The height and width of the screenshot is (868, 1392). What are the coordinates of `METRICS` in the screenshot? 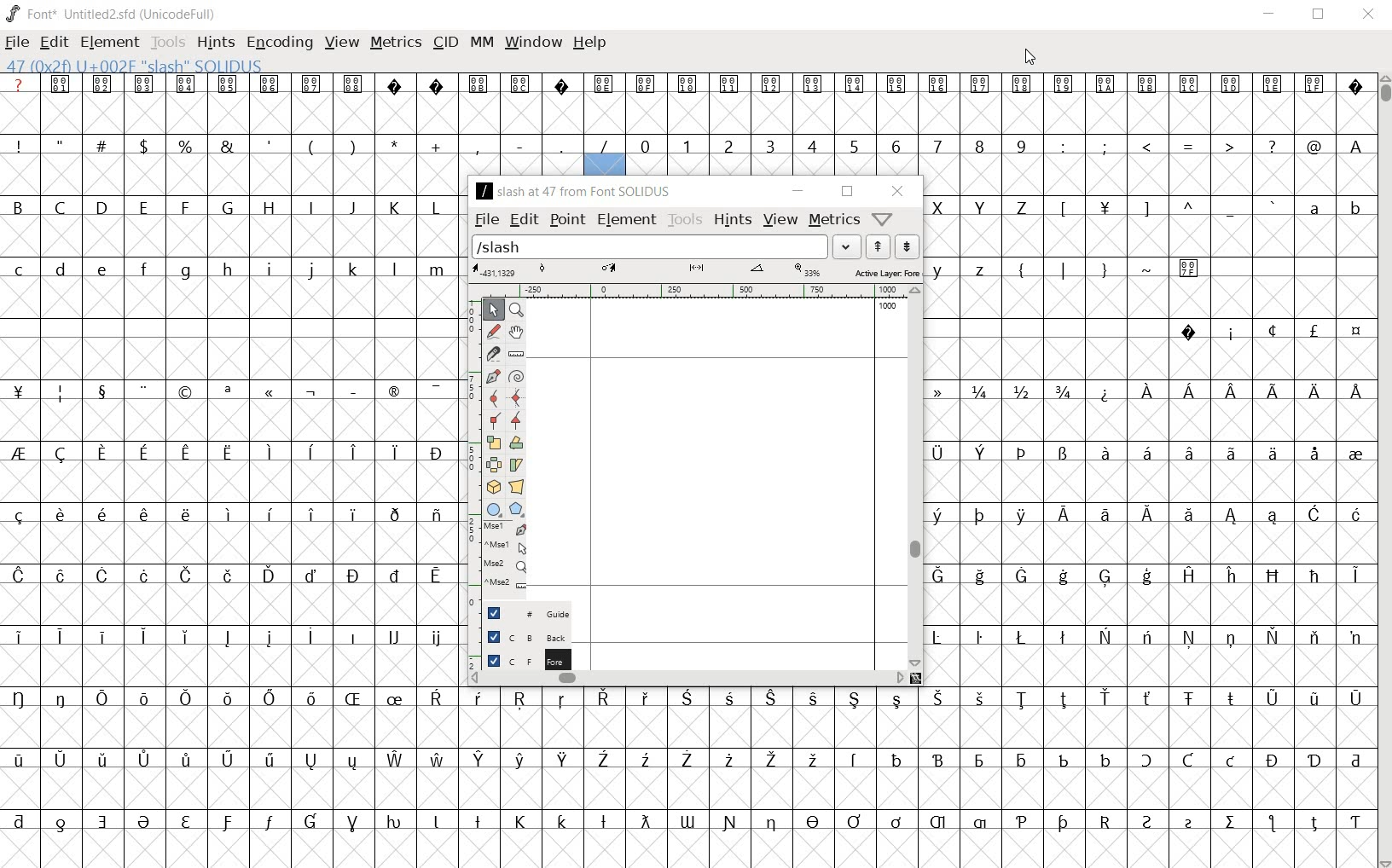 It's located at (393, 45).